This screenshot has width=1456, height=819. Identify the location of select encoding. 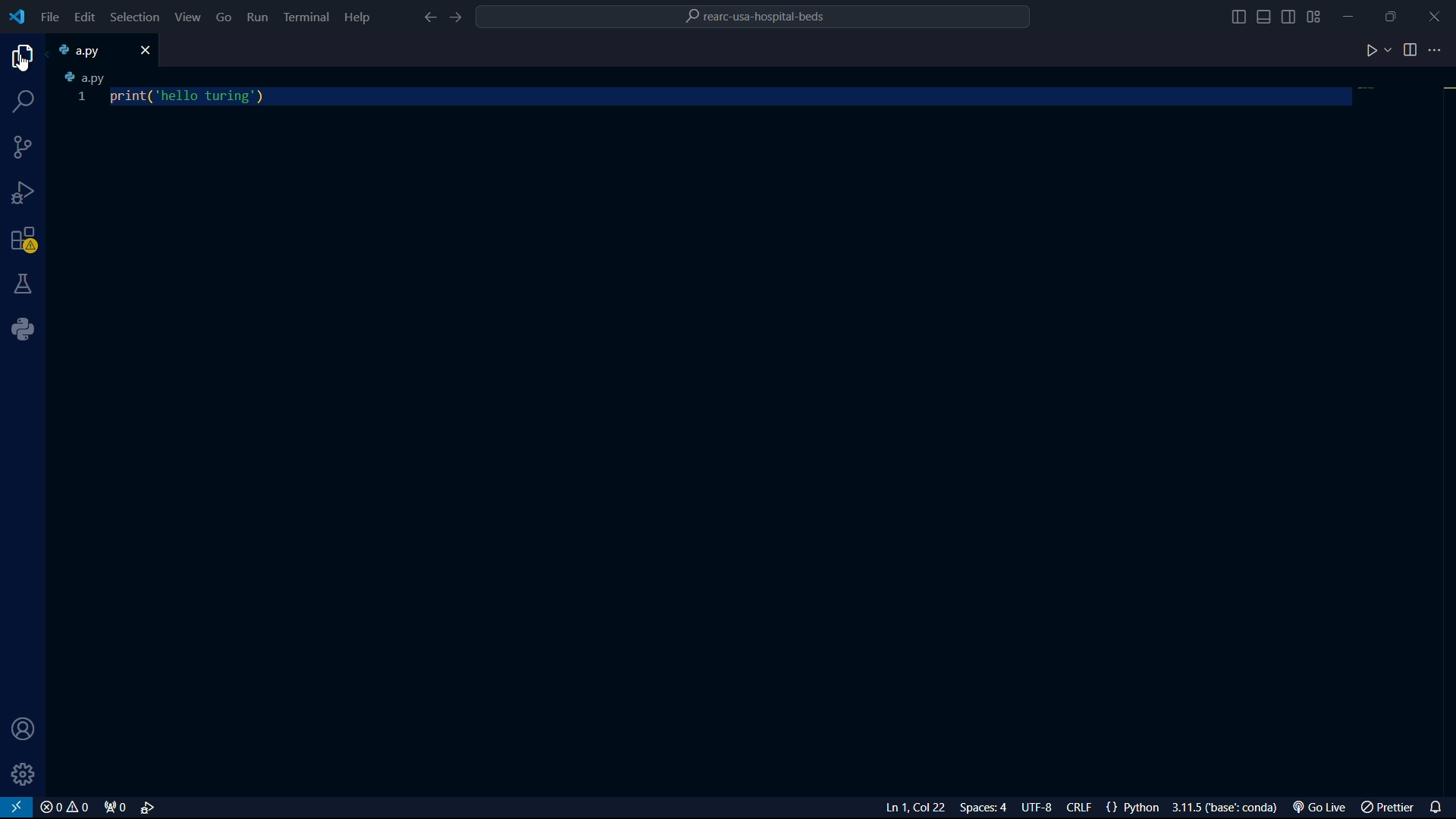
(1035, 808).